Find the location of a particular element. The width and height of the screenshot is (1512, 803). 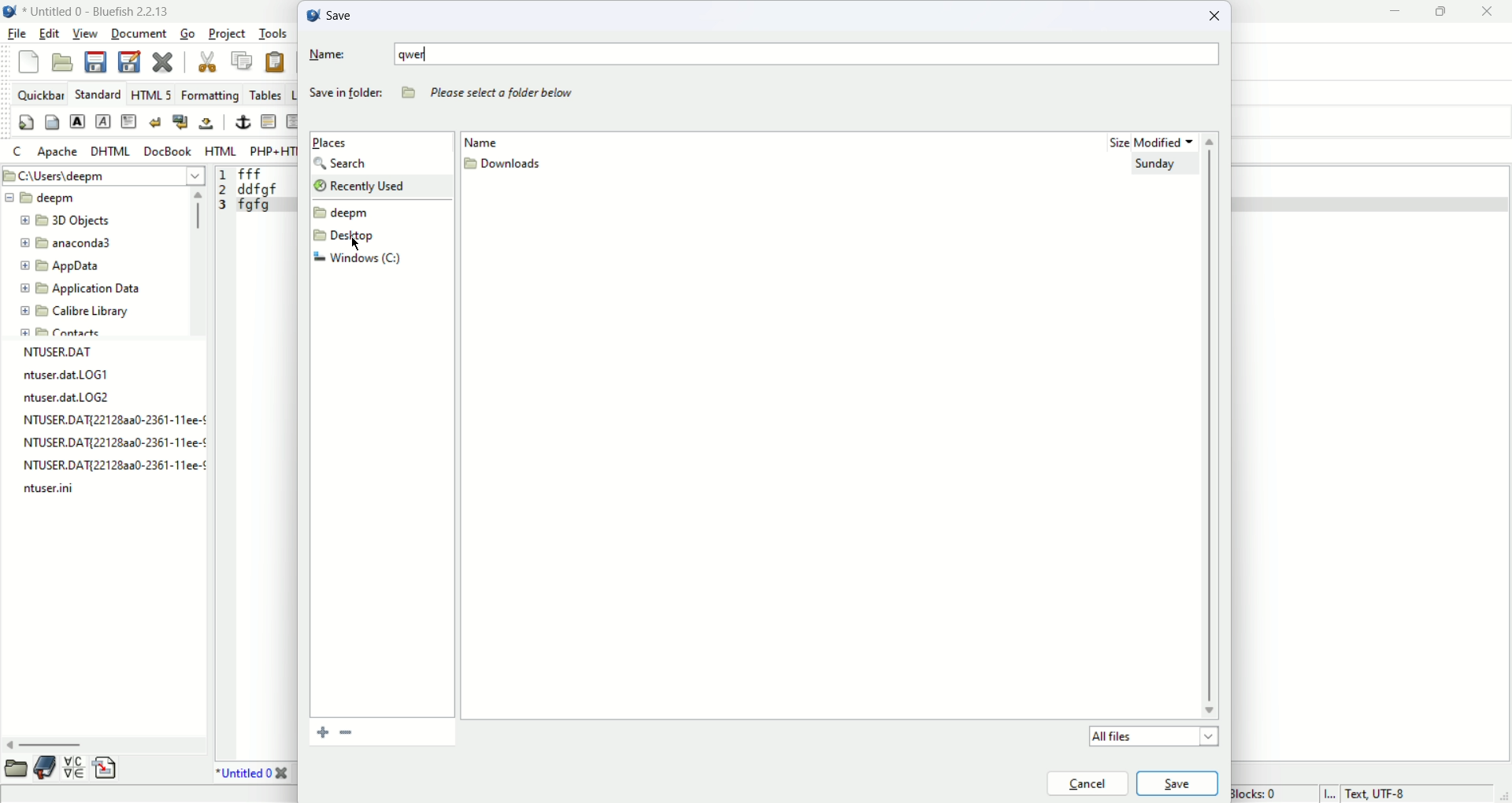

size is located at coordinates (1110, 142).